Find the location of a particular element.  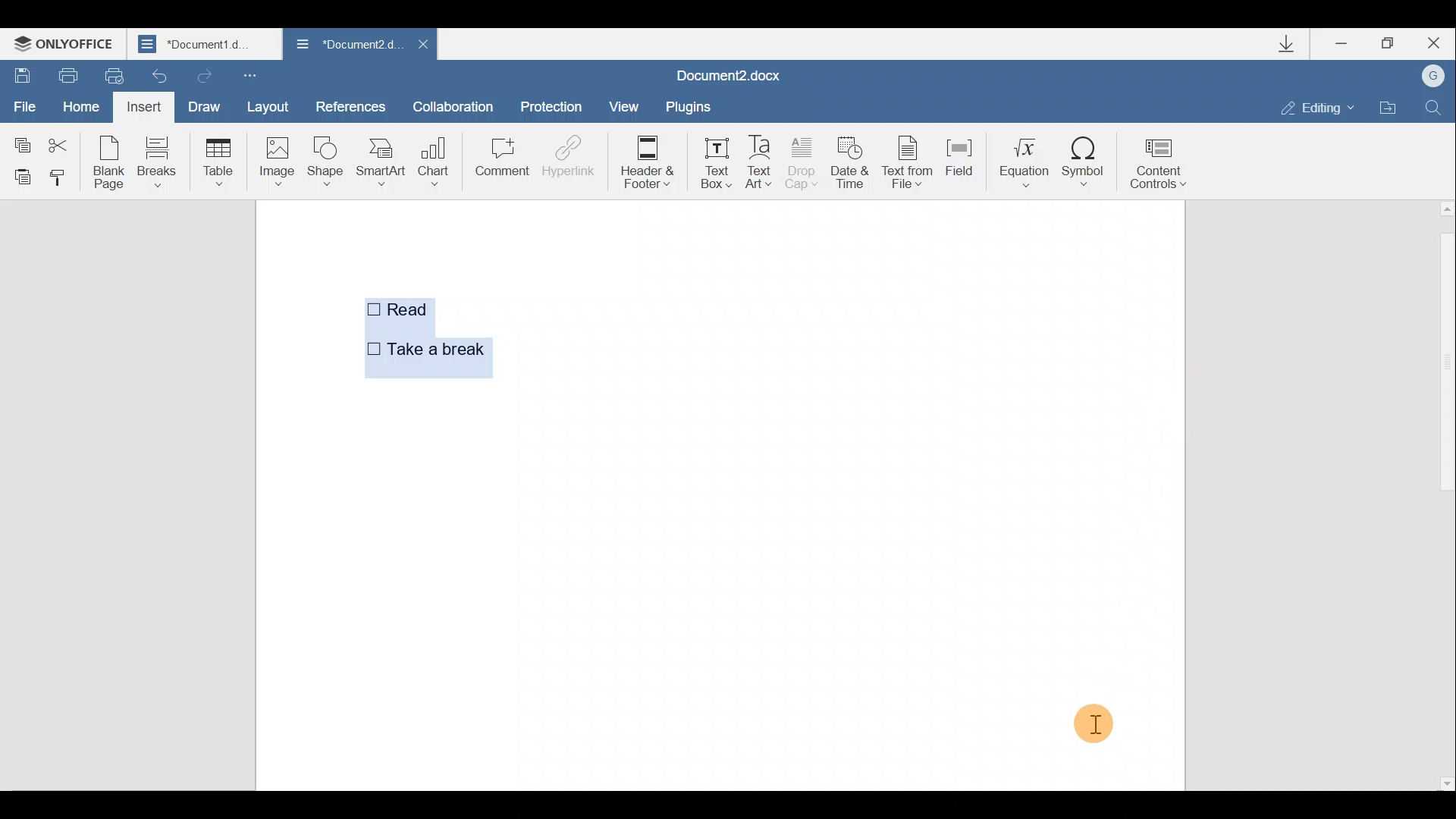

ONLYOFFICE is located at coordinates (67, 45).